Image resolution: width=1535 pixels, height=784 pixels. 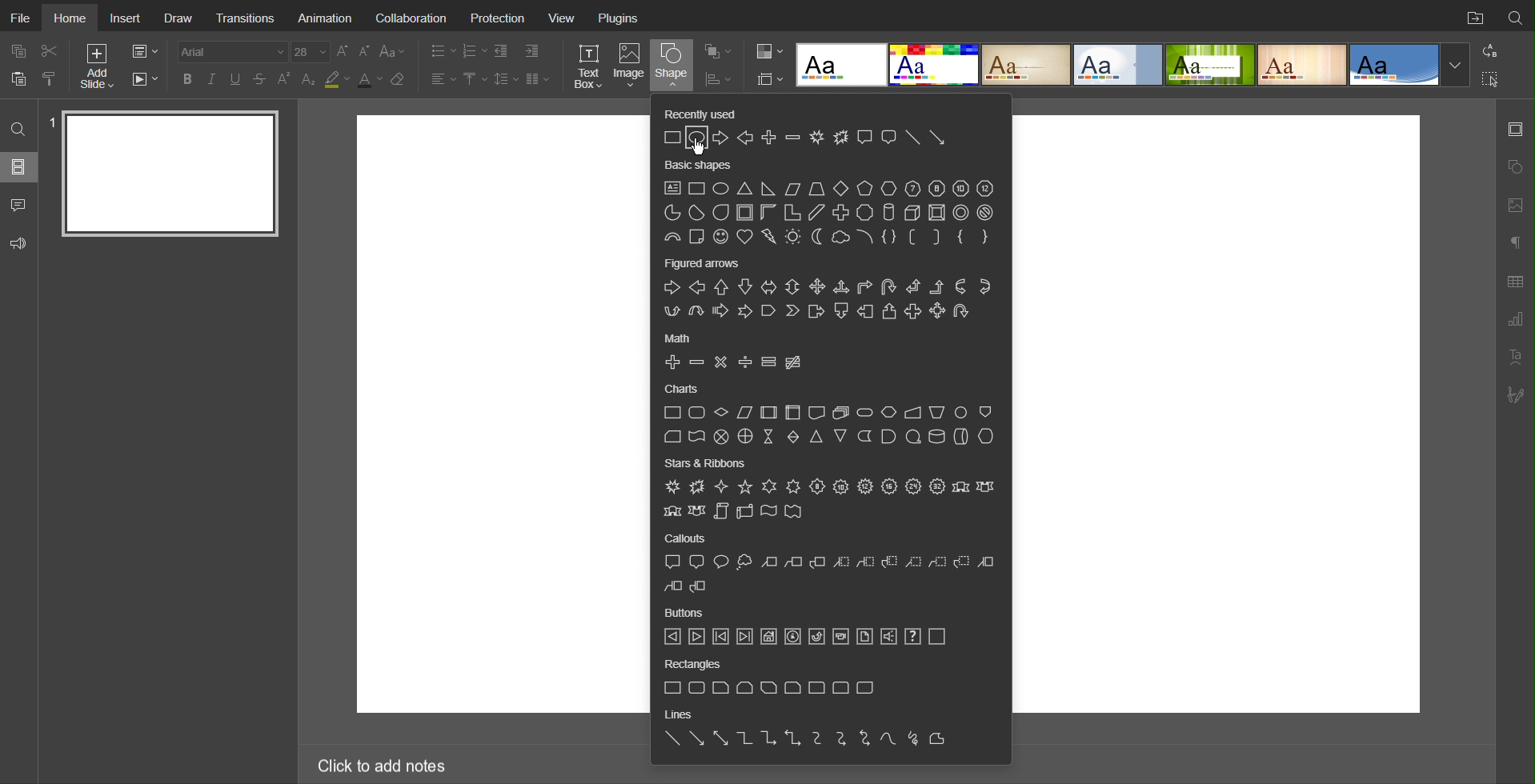 What do you see at coordinates (20, 166) in the screenshot?
I see `Slides` at bounding box center [20, 166].